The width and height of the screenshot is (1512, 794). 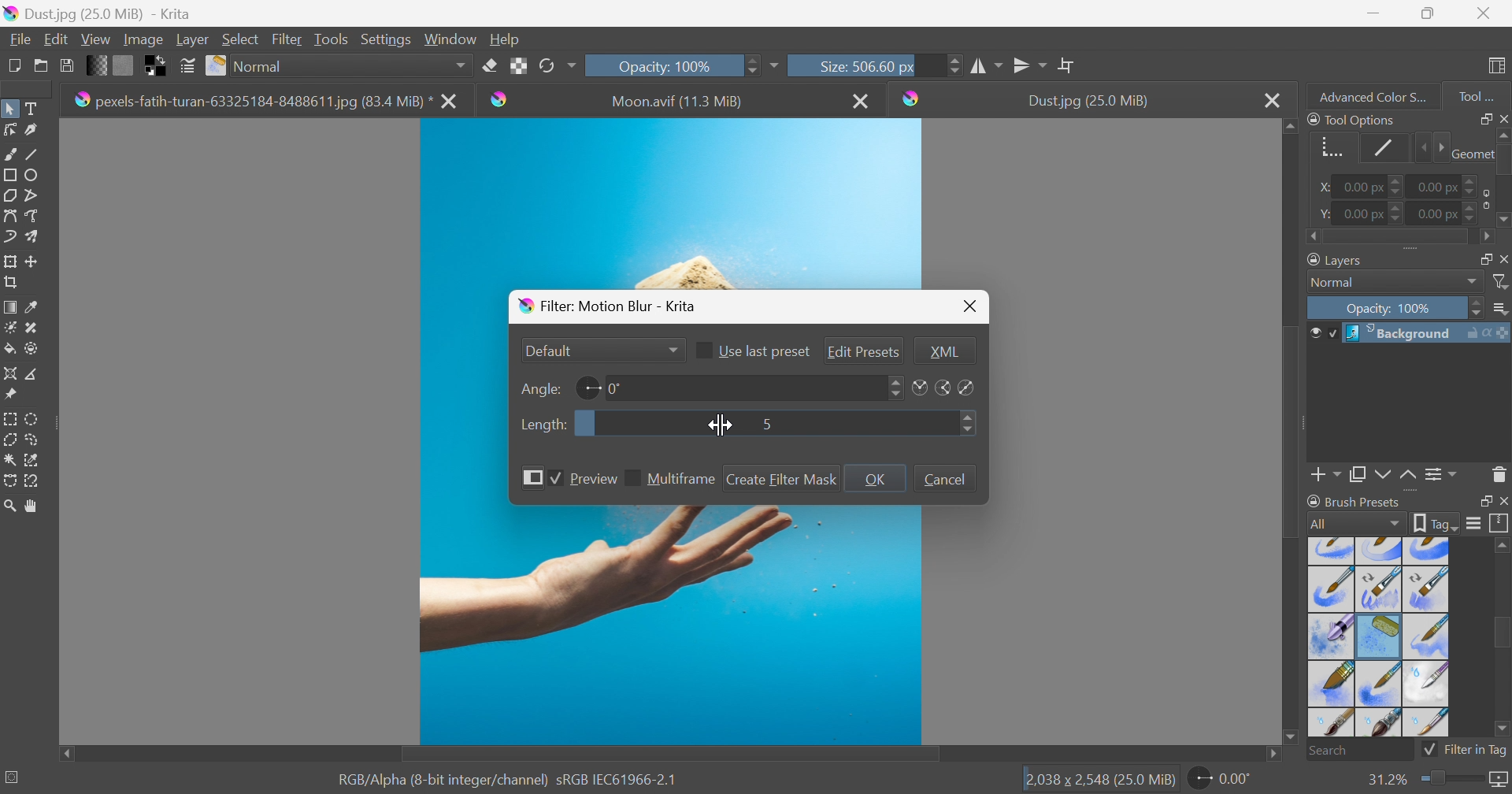 I want to click on Horizontal mirror tool, so click(x=1031, y=63).